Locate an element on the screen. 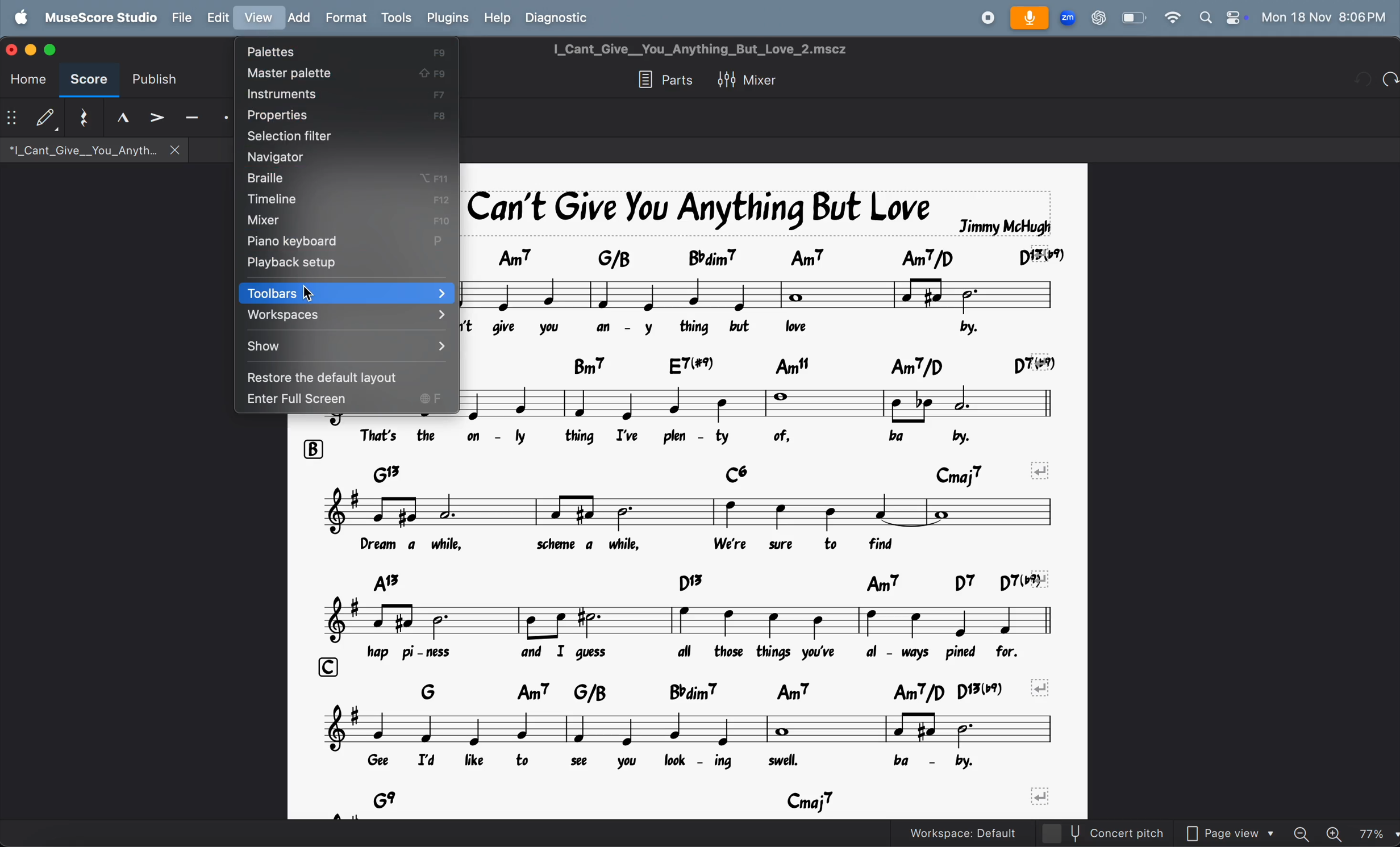  chord symbol is located at coordinates (768, 365).